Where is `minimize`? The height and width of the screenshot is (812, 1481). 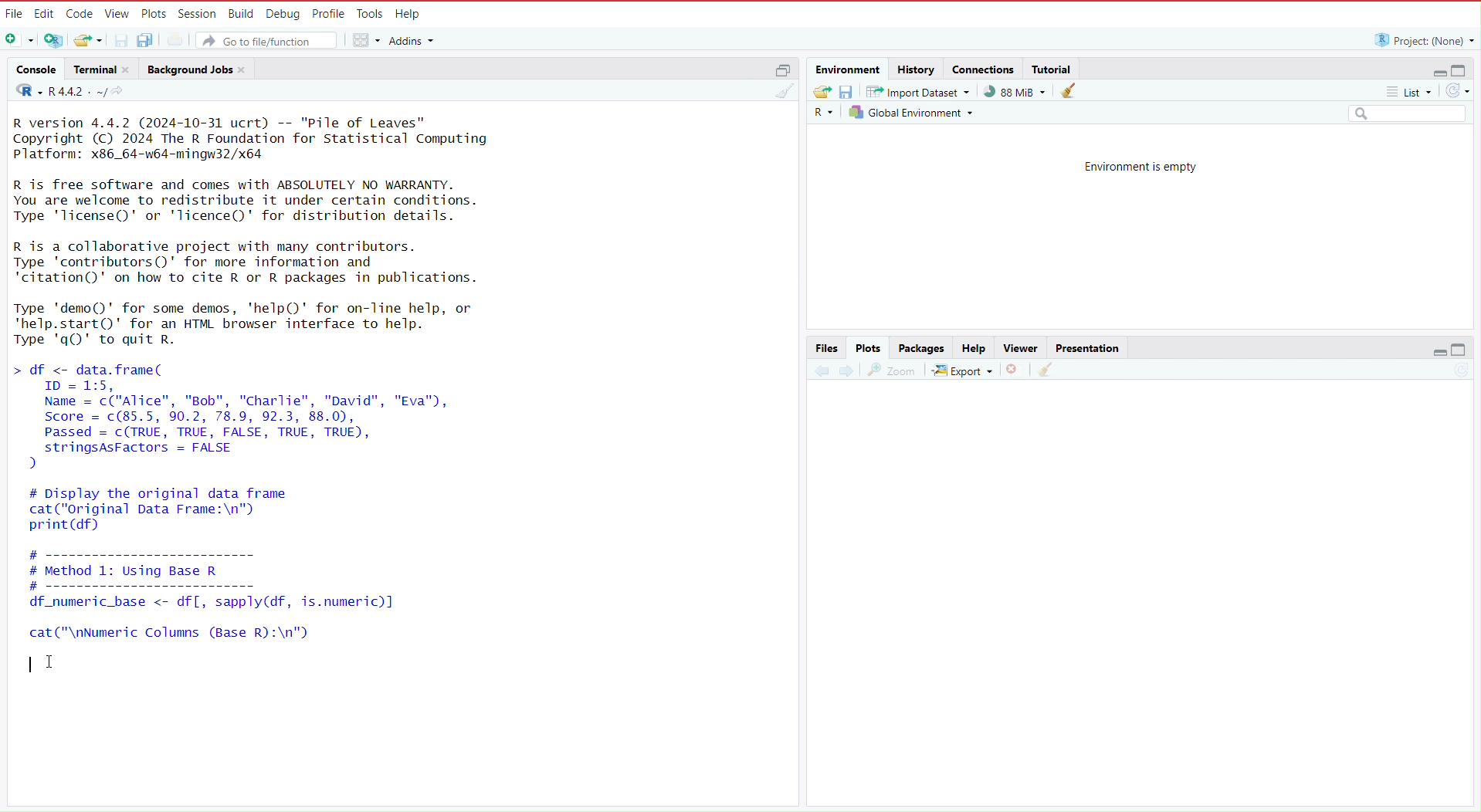
minimize is located at coordinates (1435, 69).